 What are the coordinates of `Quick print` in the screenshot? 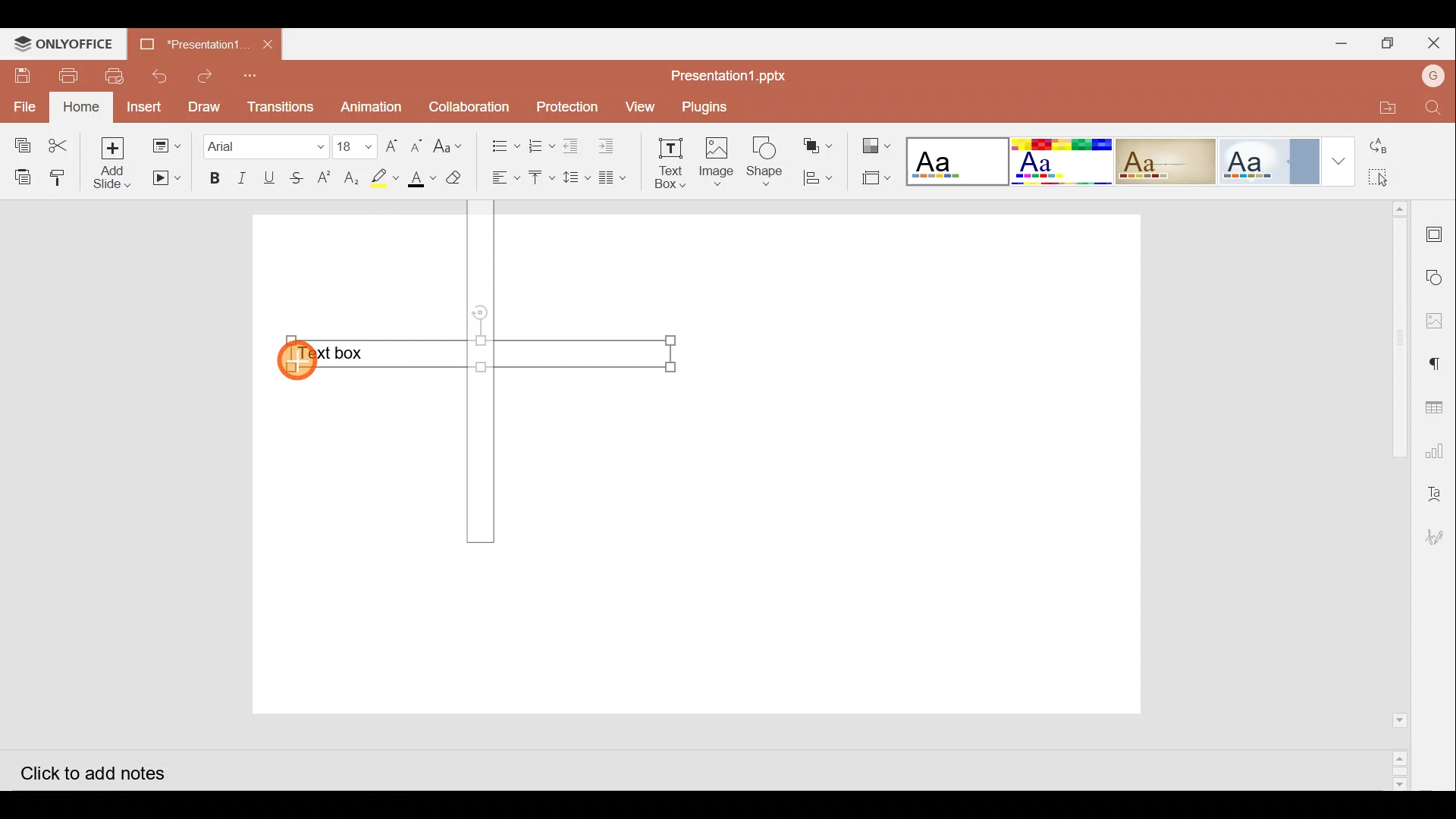 It's located at (112, 77).